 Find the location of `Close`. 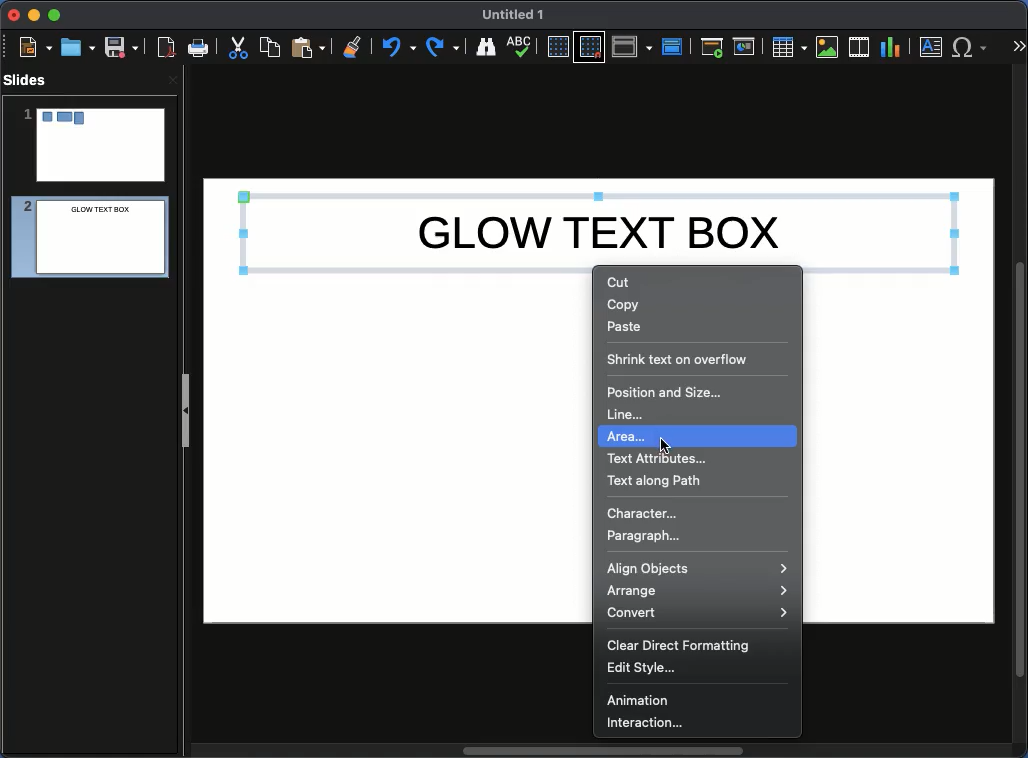

Close is located at coordinates (172, 79).